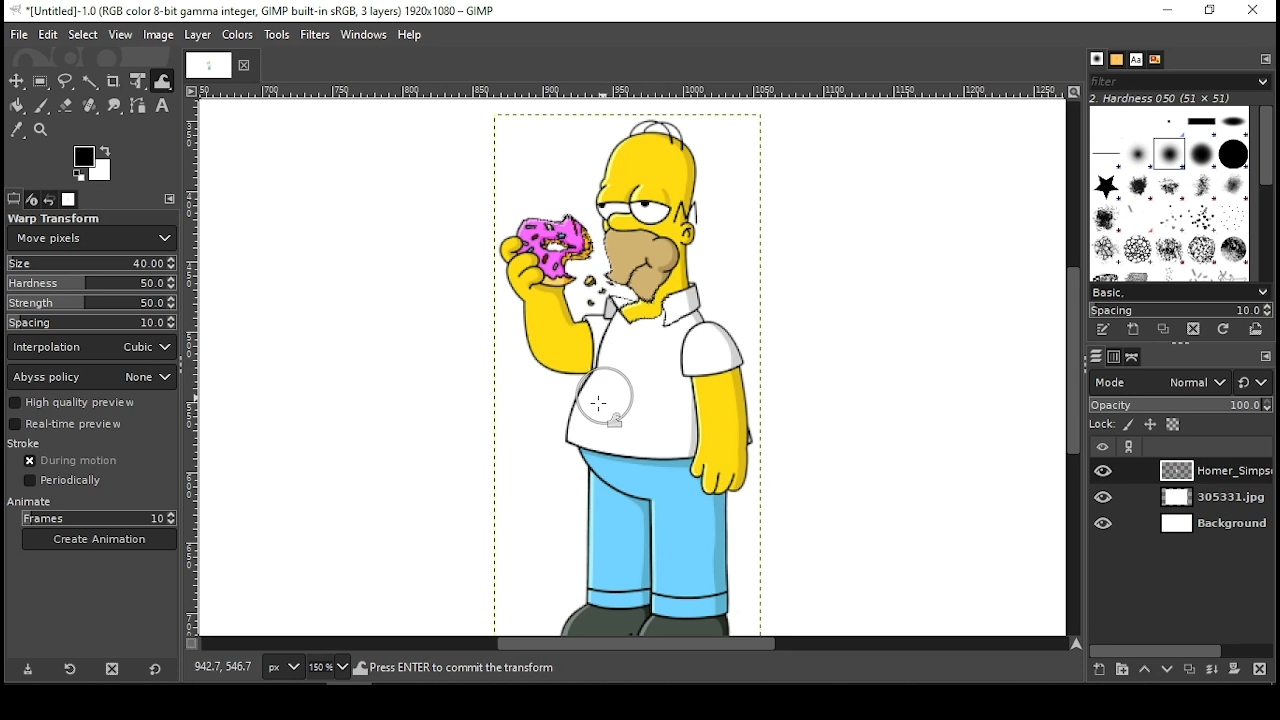 The width and height of the screenshot is (1280, 720). I want to click on create a new brush, so click(1135, 330).